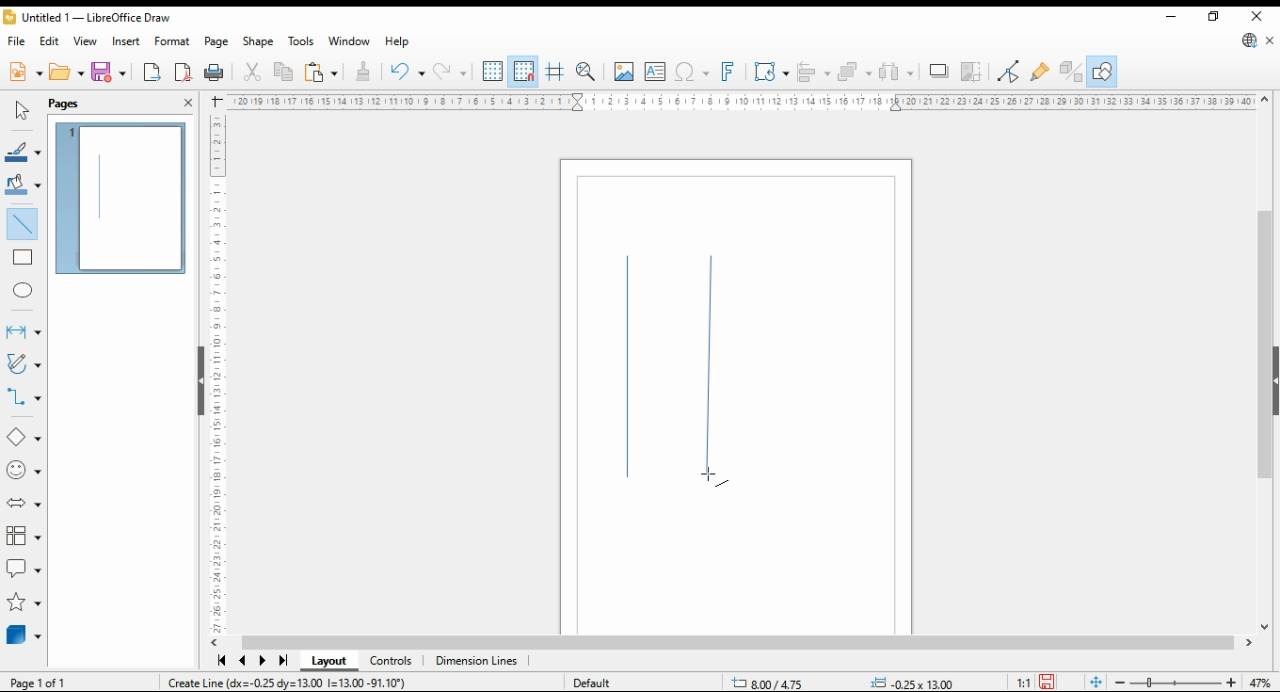 The width and height of the screenshot is (1280, 692). I want to click on select, so click(22, 110).